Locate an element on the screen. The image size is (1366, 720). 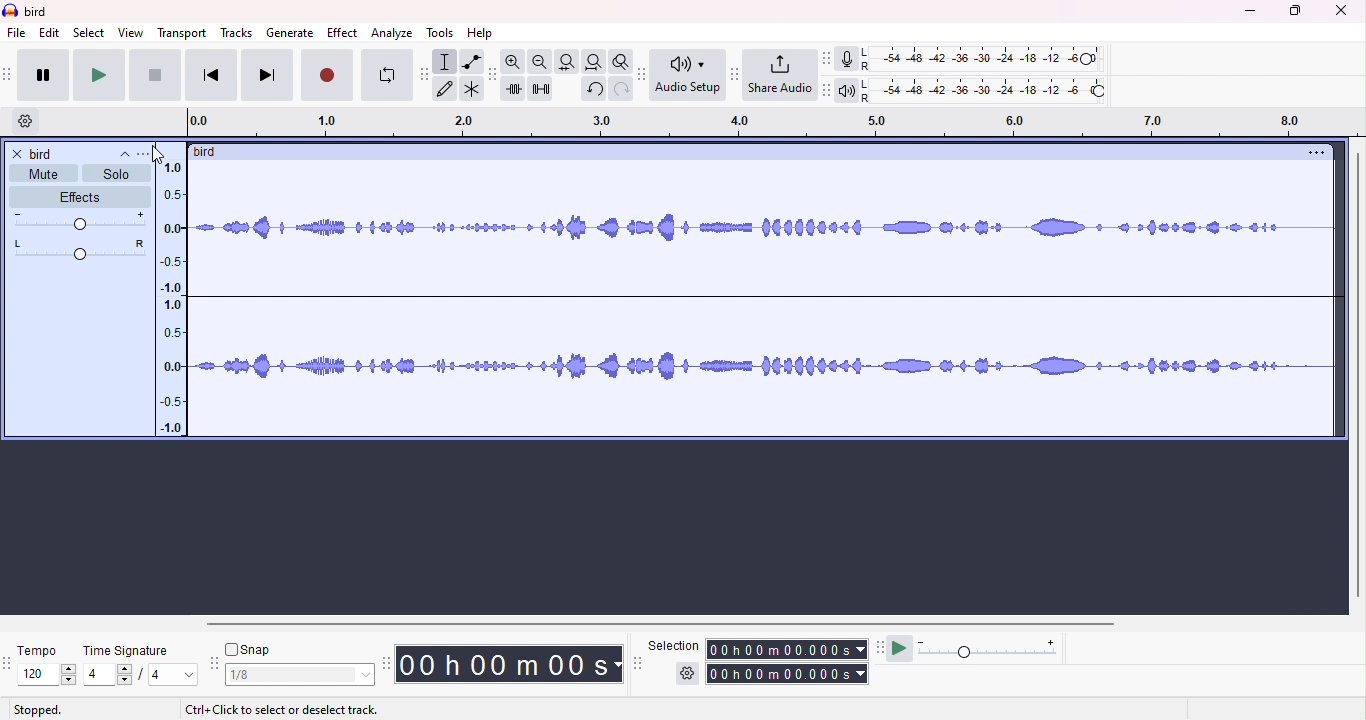
file is located at coordinates (17, 32).